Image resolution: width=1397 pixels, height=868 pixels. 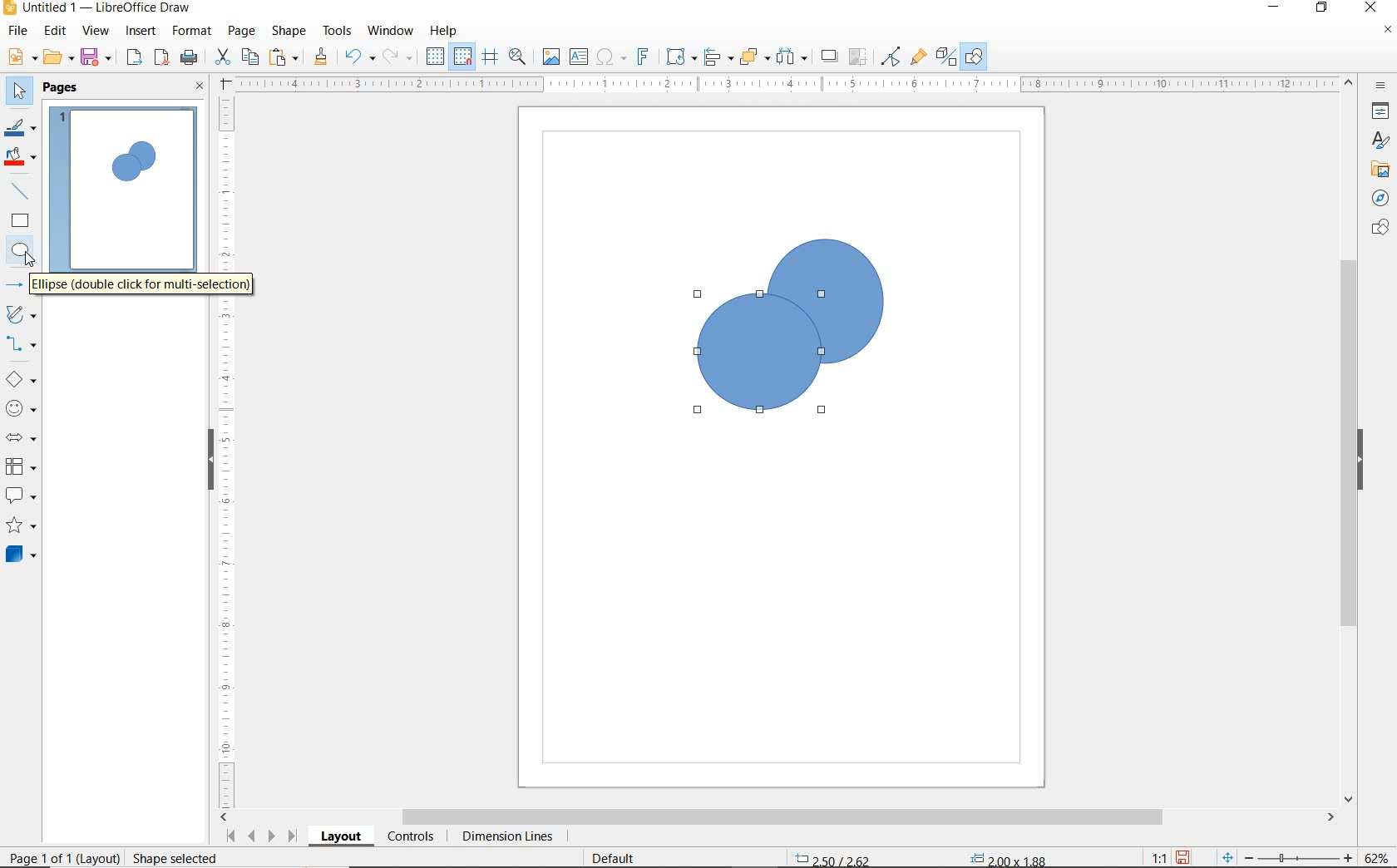 What do you see at coordinates (1375, 199) in the screenshot?
I see `NAVIGATOR` at bounding box center [1375, 199].